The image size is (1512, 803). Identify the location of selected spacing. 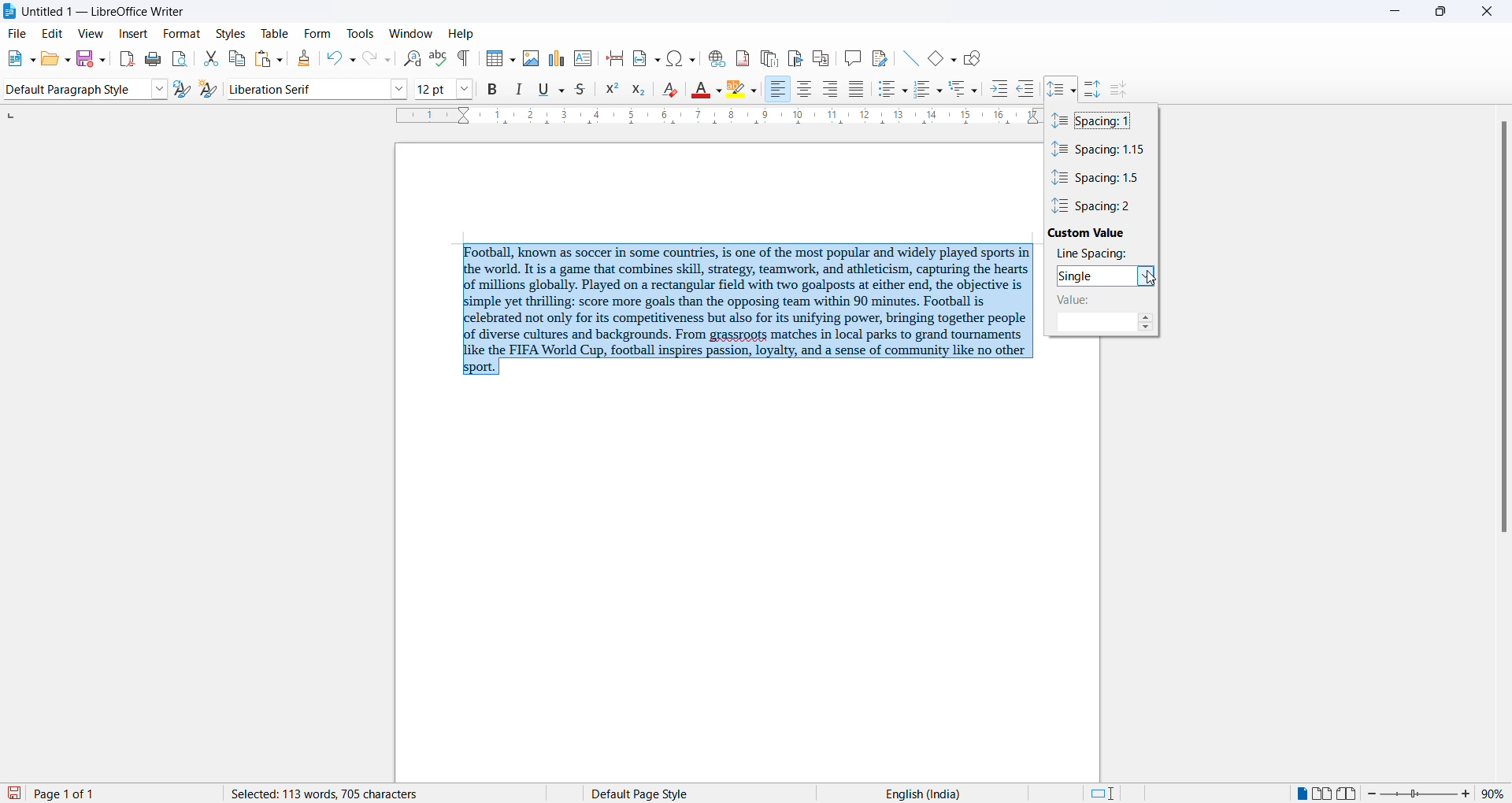
(1095, 276).